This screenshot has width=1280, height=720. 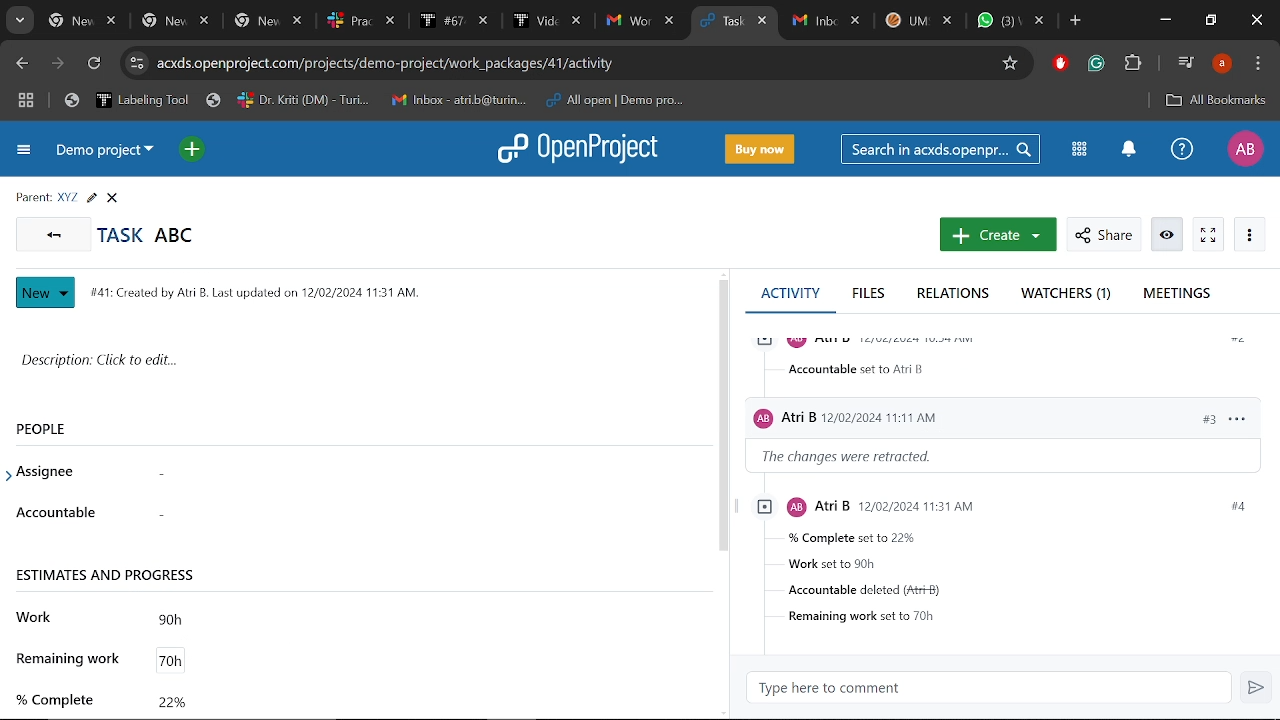 I want to click on Control and customize chrome, so click(x=1258, y=64).